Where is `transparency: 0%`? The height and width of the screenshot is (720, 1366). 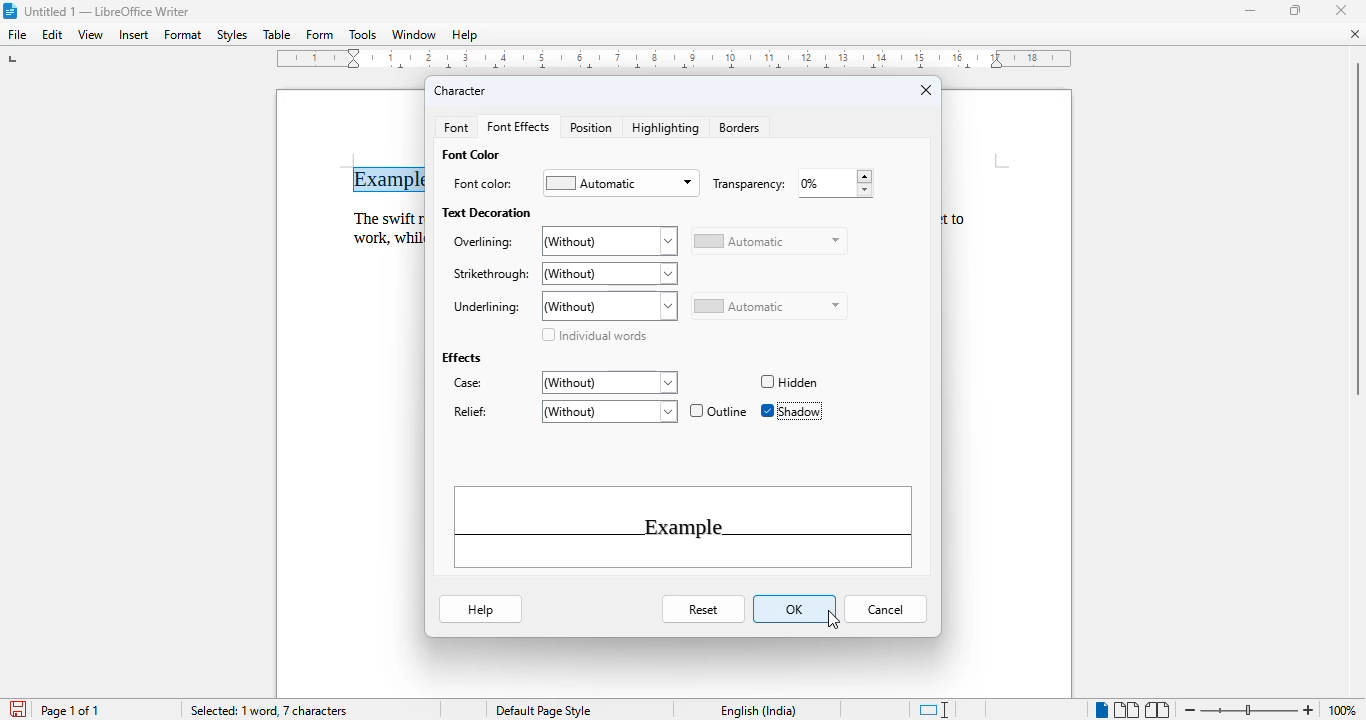
transparency: 0% is located at coordinates (790, 184).